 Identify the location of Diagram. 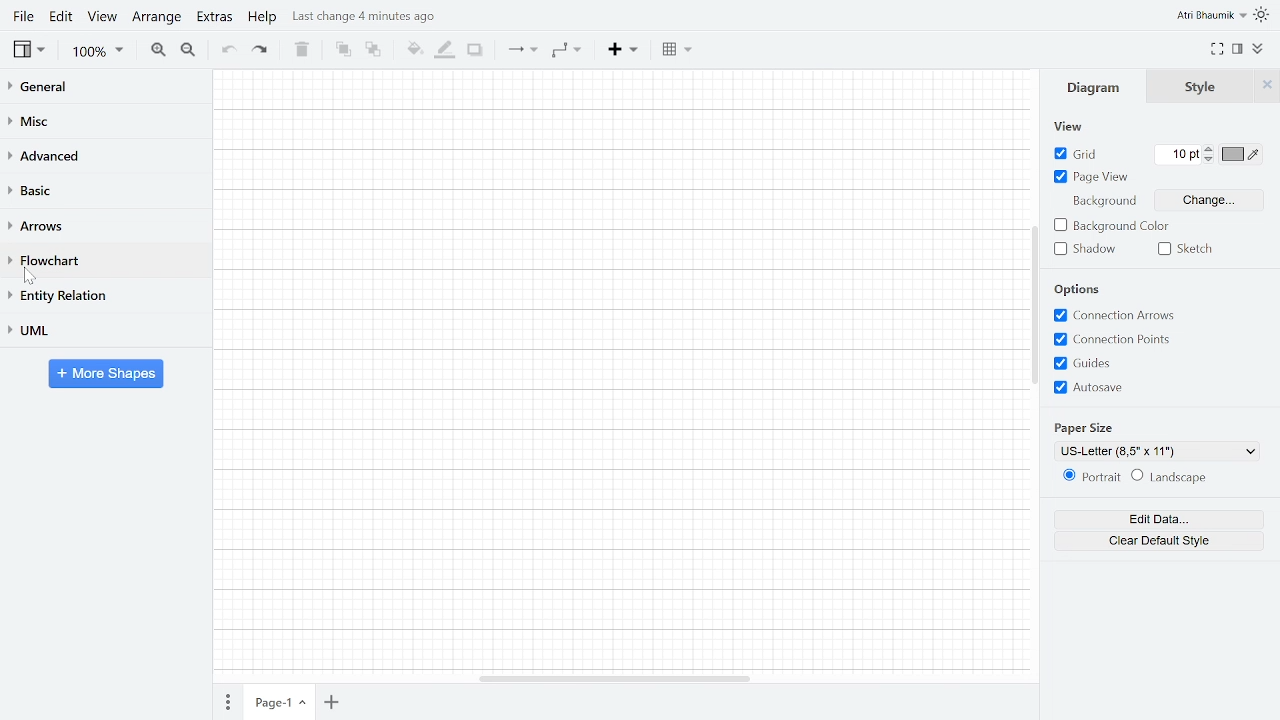
(1095, 88).